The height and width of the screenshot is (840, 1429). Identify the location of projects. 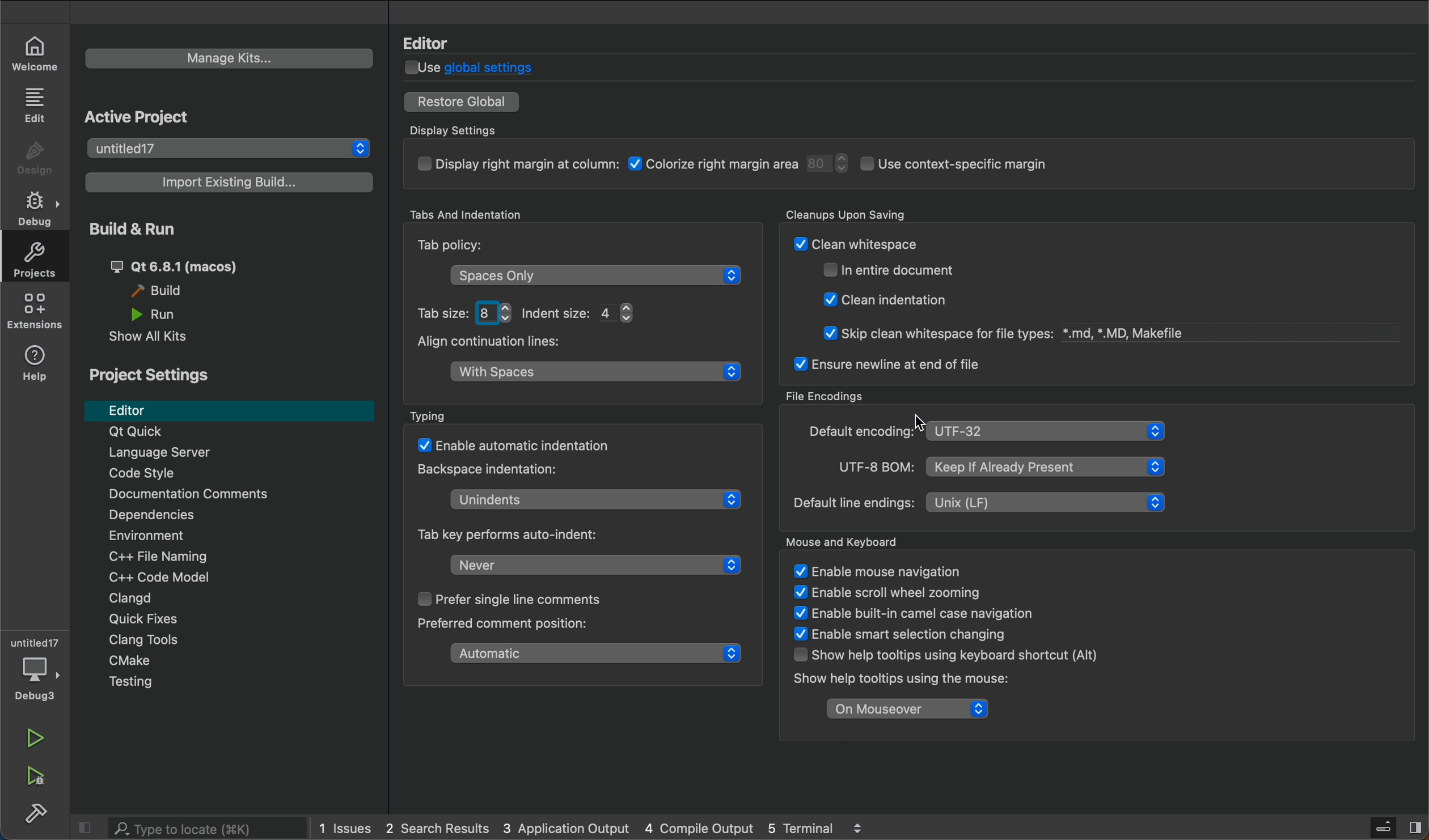
(40, 259).